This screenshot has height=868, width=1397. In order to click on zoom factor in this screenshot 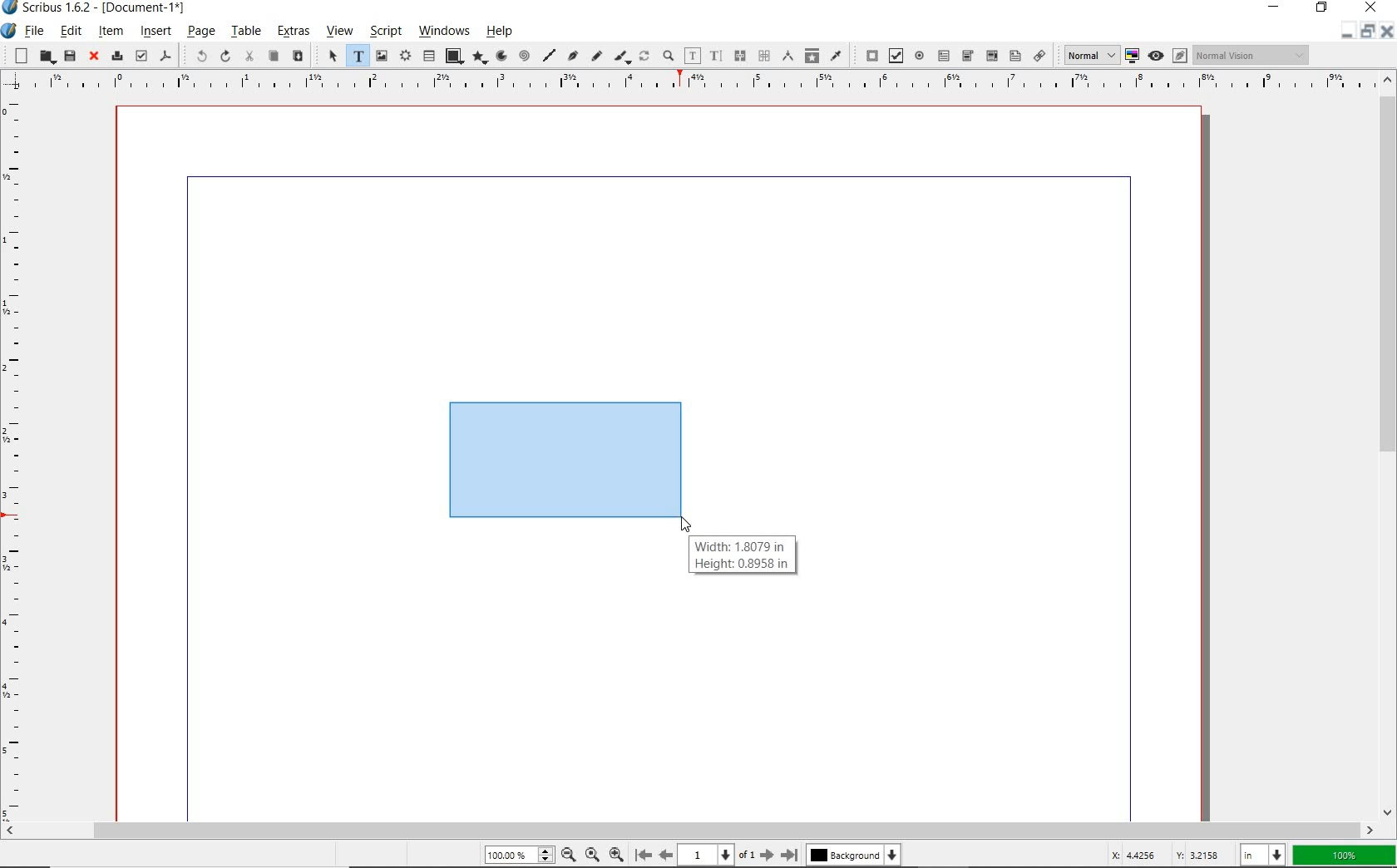, I will do `click(1345, 855)`.